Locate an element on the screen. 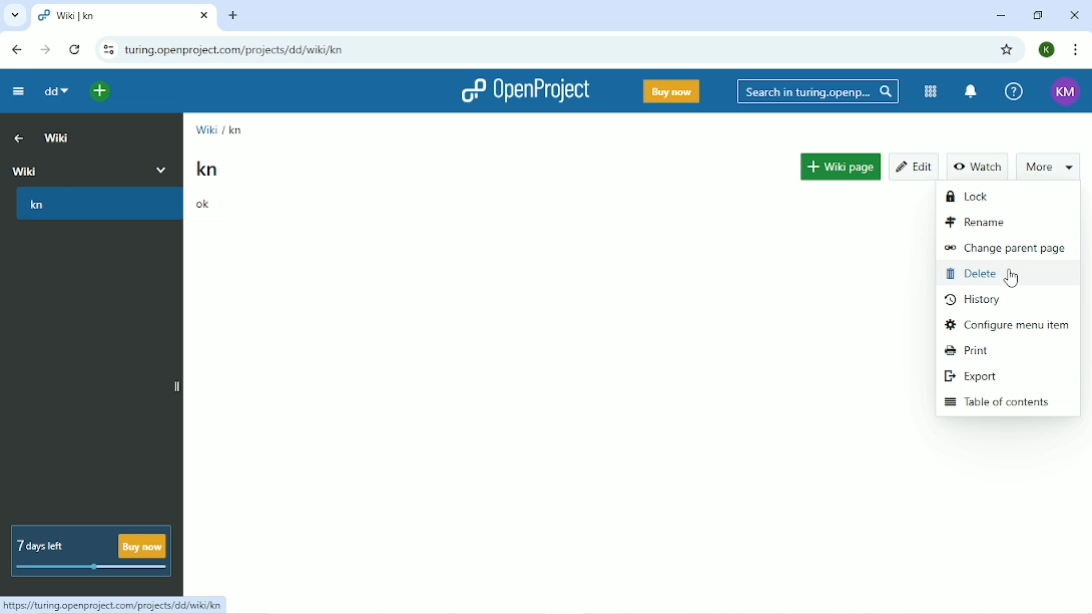  Buy now is located at coordinates (670, 91).